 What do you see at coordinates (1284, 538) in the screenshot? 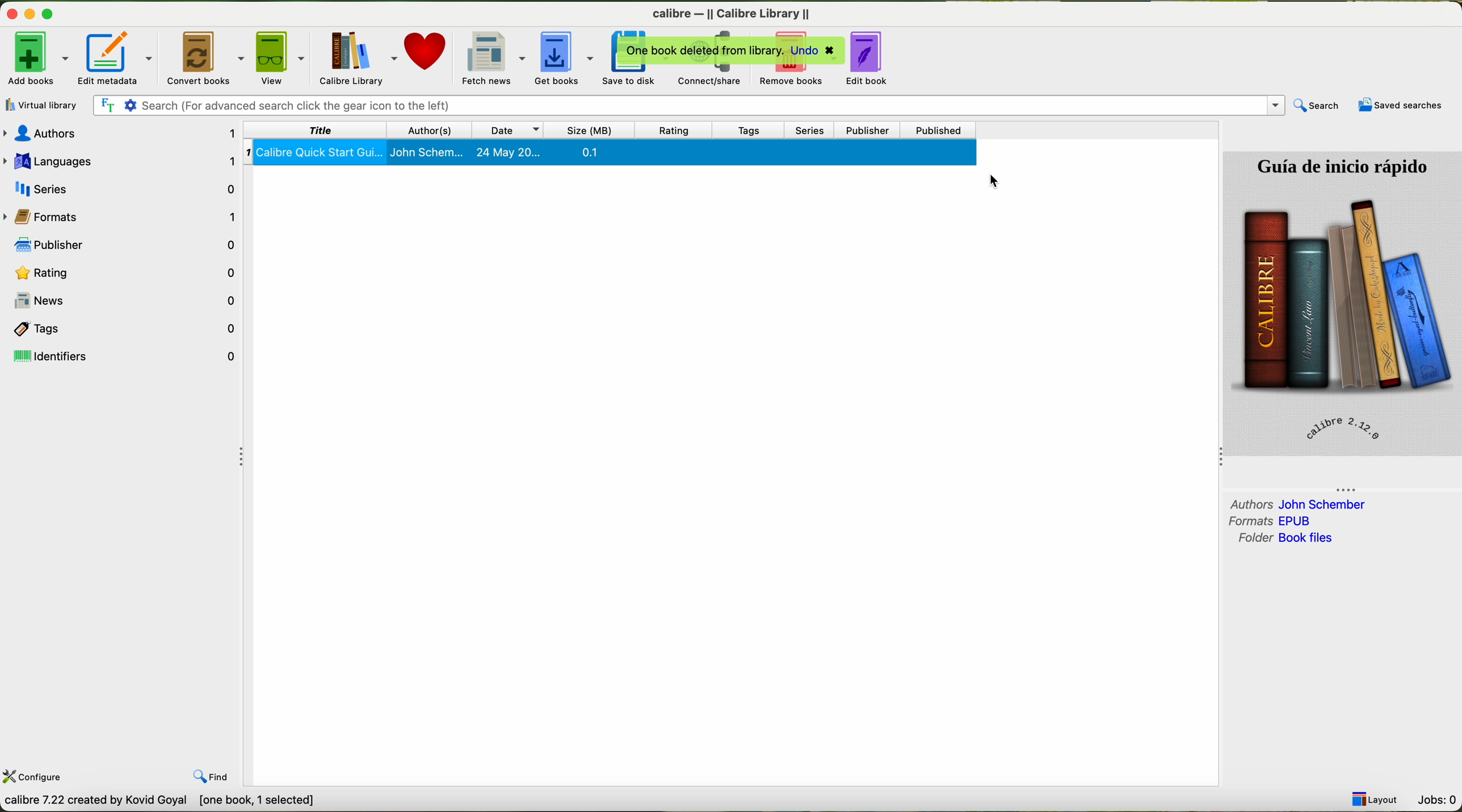
I see `folder book files` at bounding box center [1284, 538].